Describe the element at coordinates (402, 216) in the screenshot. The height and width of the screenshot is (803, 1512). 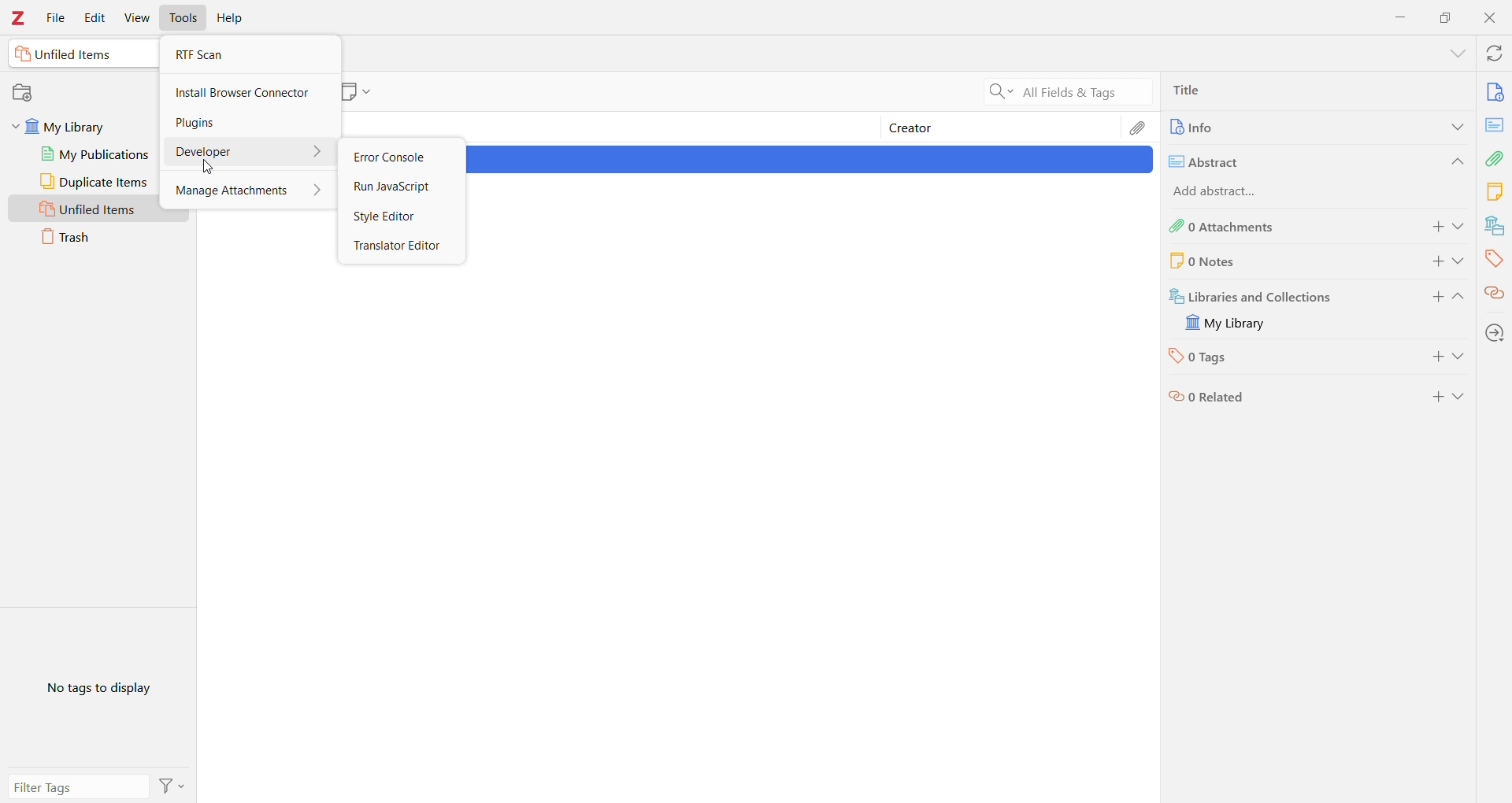
I see `Style Editor` at that location.